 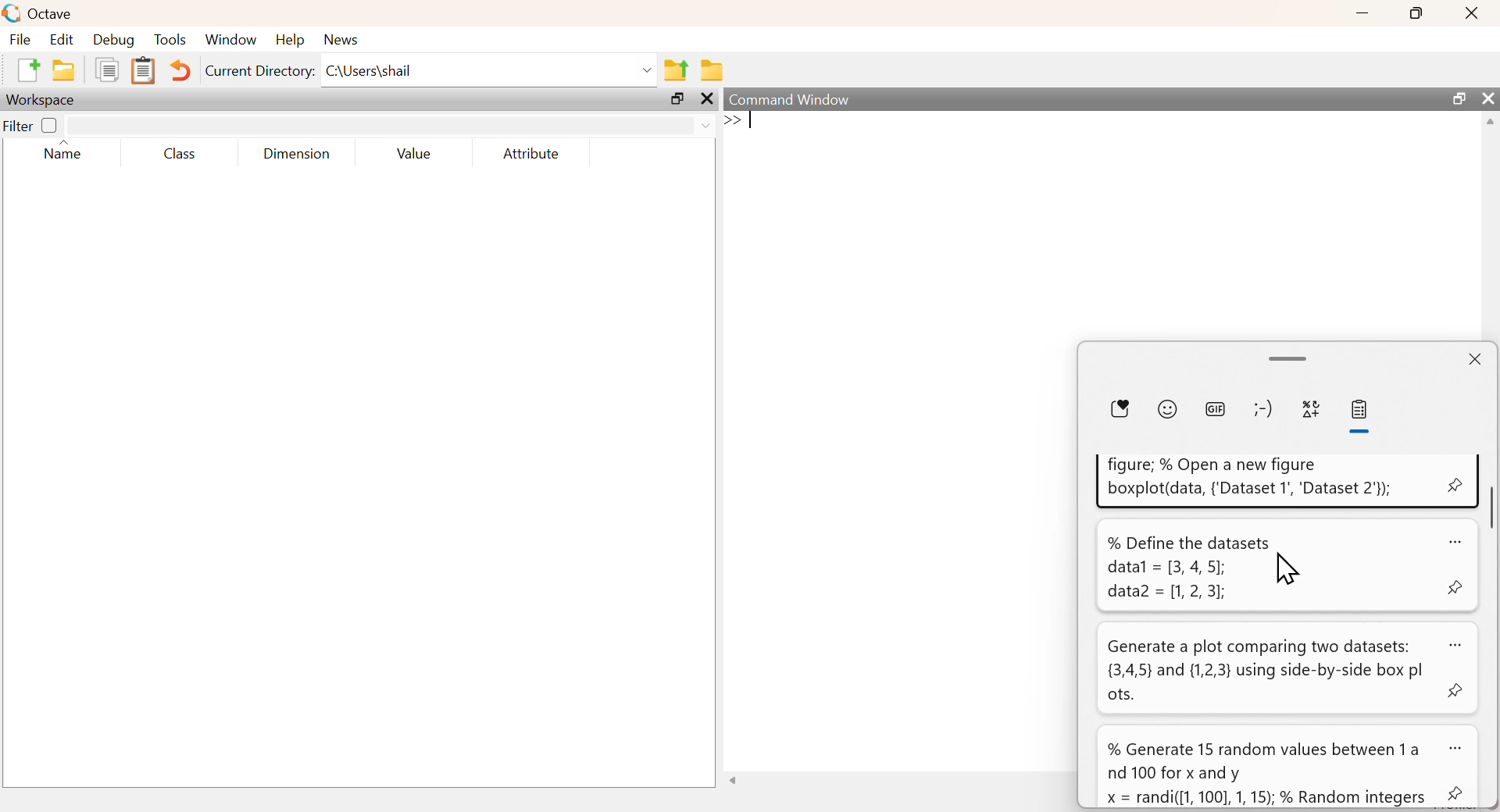 What do you see at coordinates (21, 39) in the screenshot?
I see `File` at bounding box center [21, 39].